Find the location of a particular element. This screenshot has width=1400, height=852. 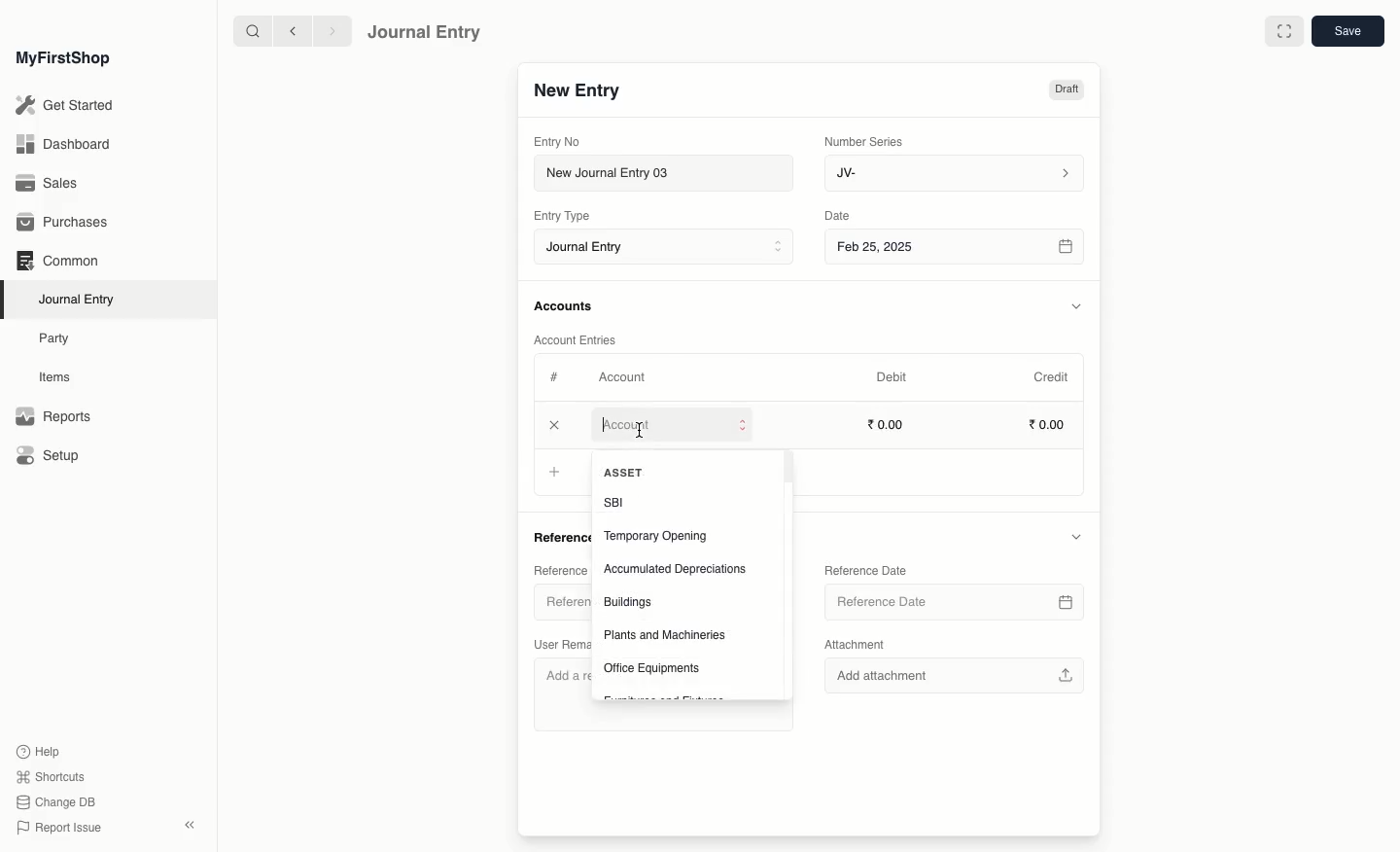

Account Entries is located at coordinates (582, 340).